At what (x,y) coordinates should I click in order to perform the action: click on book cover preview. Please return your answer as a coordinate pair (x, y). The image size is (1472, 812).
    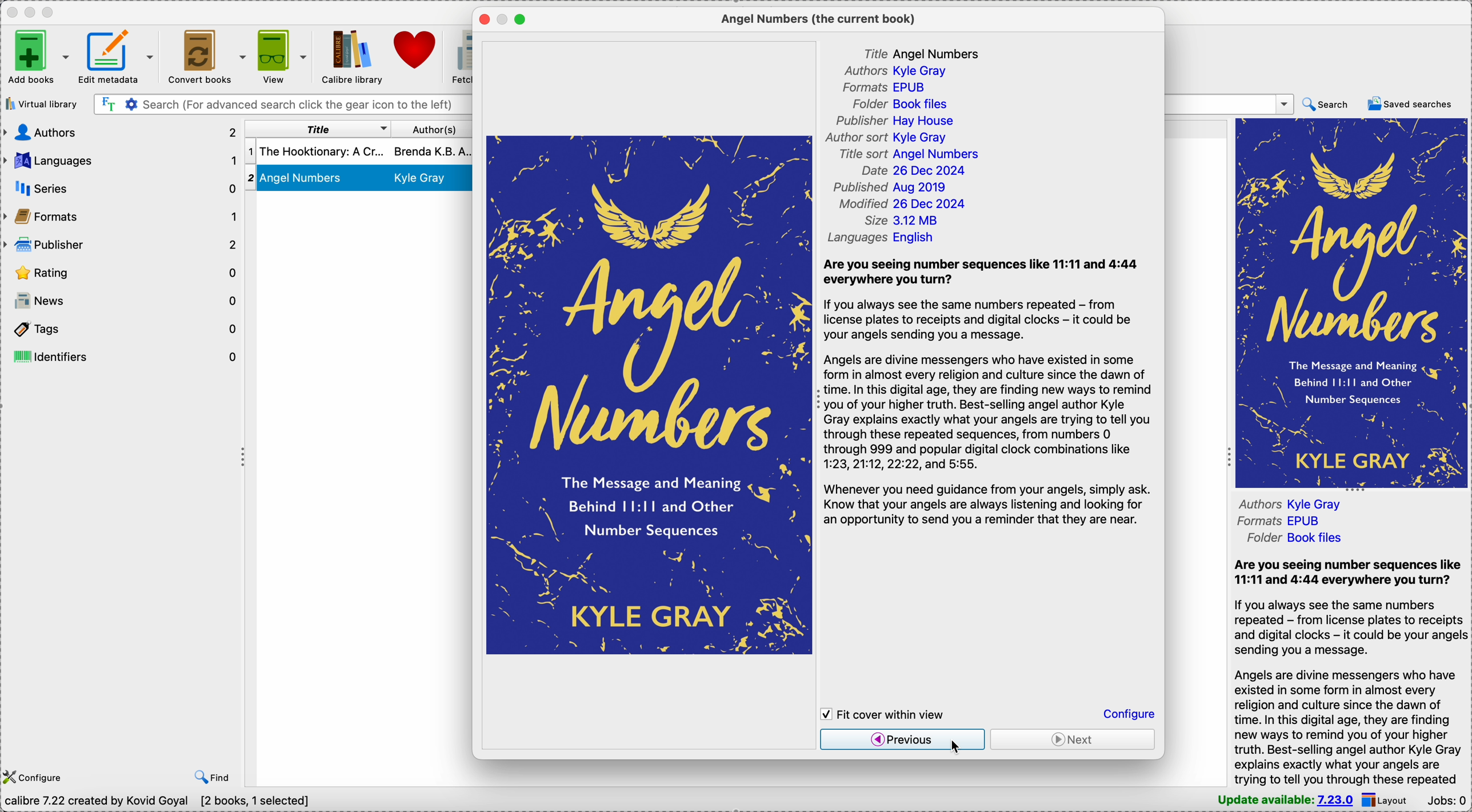
    Looking at the image, I should click on (1351, 303).